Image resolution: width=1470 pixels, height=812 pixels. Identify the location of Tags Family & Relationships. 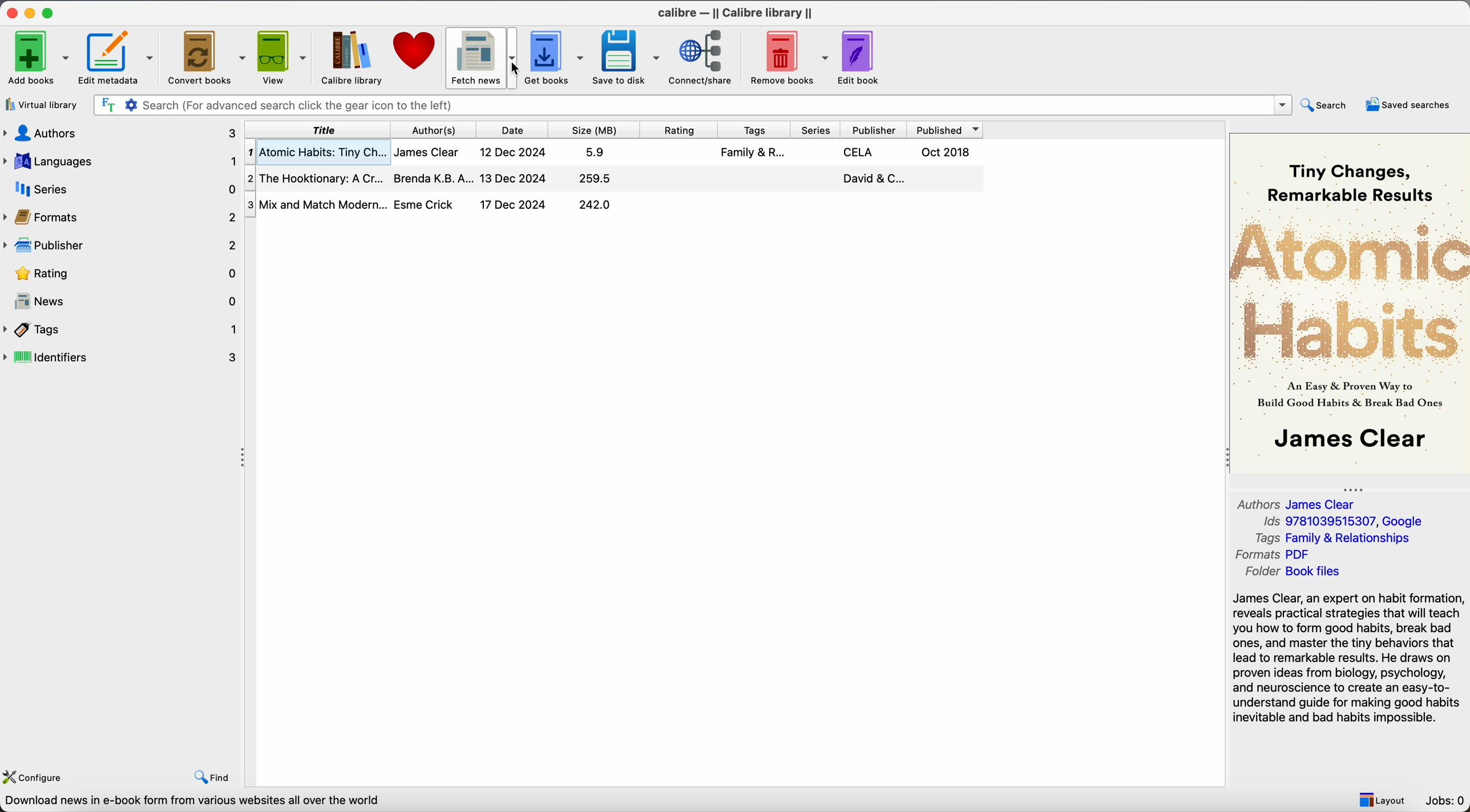
(1338, 538).